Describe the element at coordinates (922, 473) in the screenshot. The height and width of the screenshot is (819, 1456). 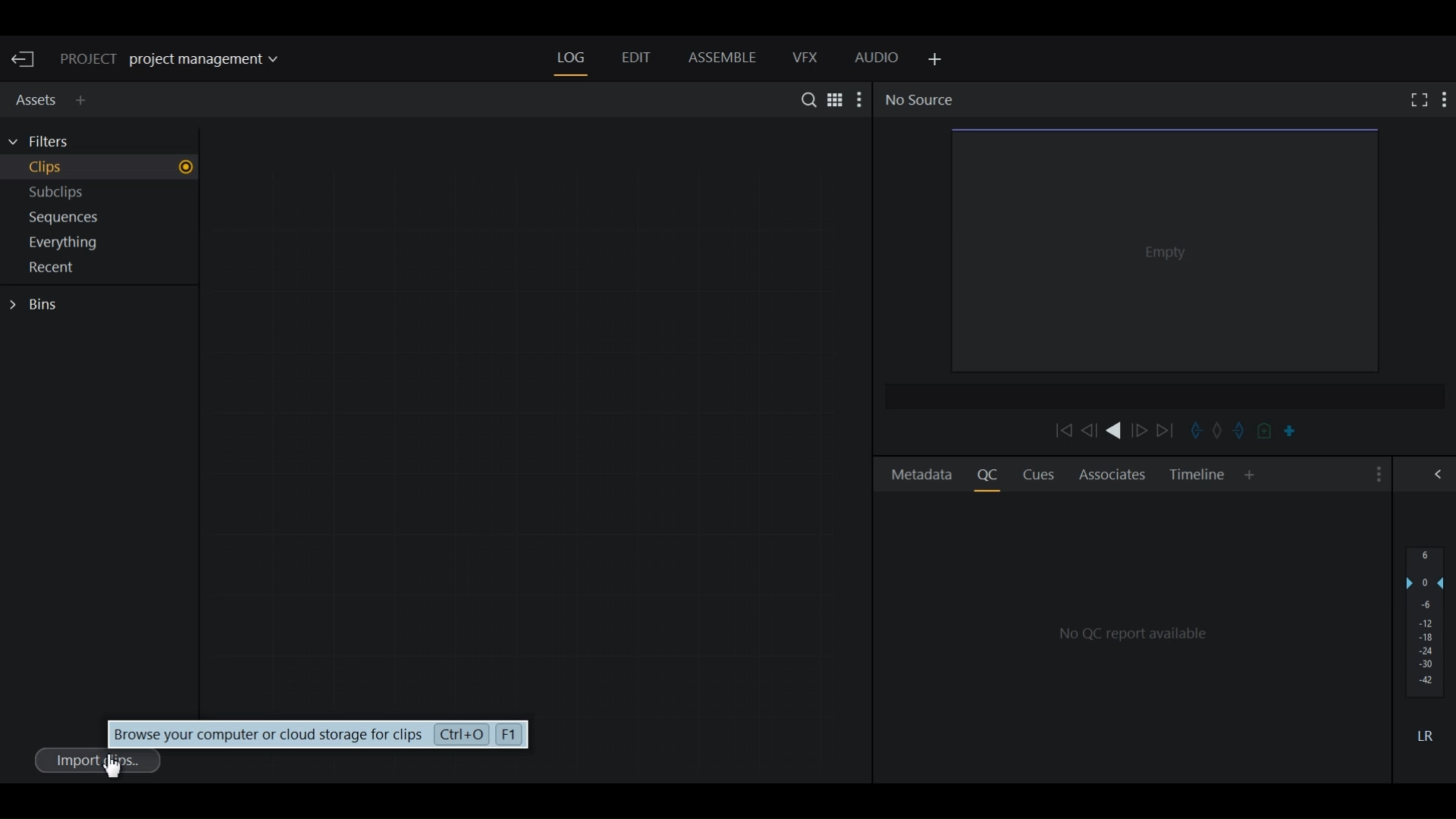
I see `Metadata` at that location.